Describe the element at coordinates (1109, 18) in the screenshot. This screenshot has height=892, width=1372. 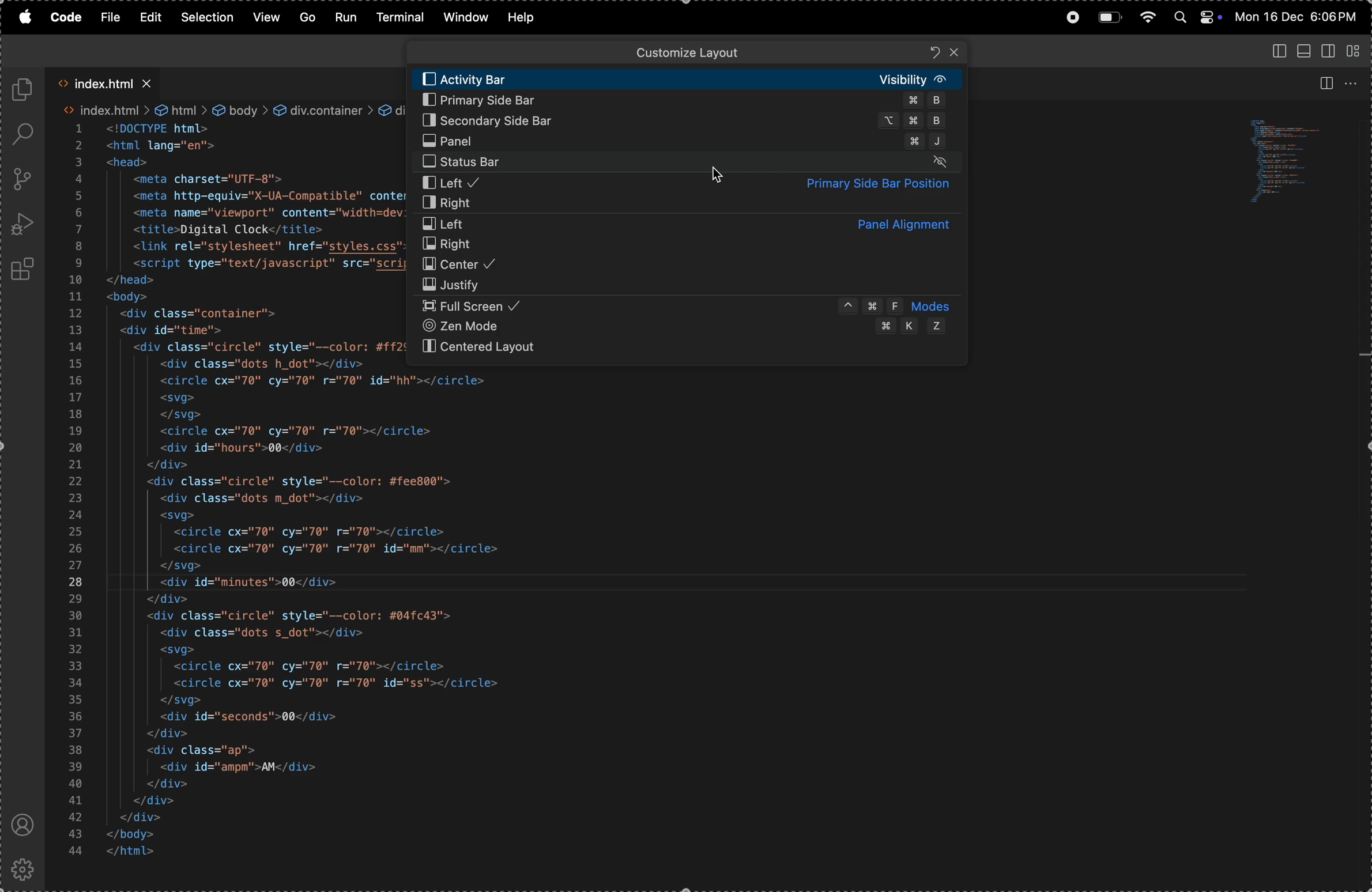
I see `battery` at that location.